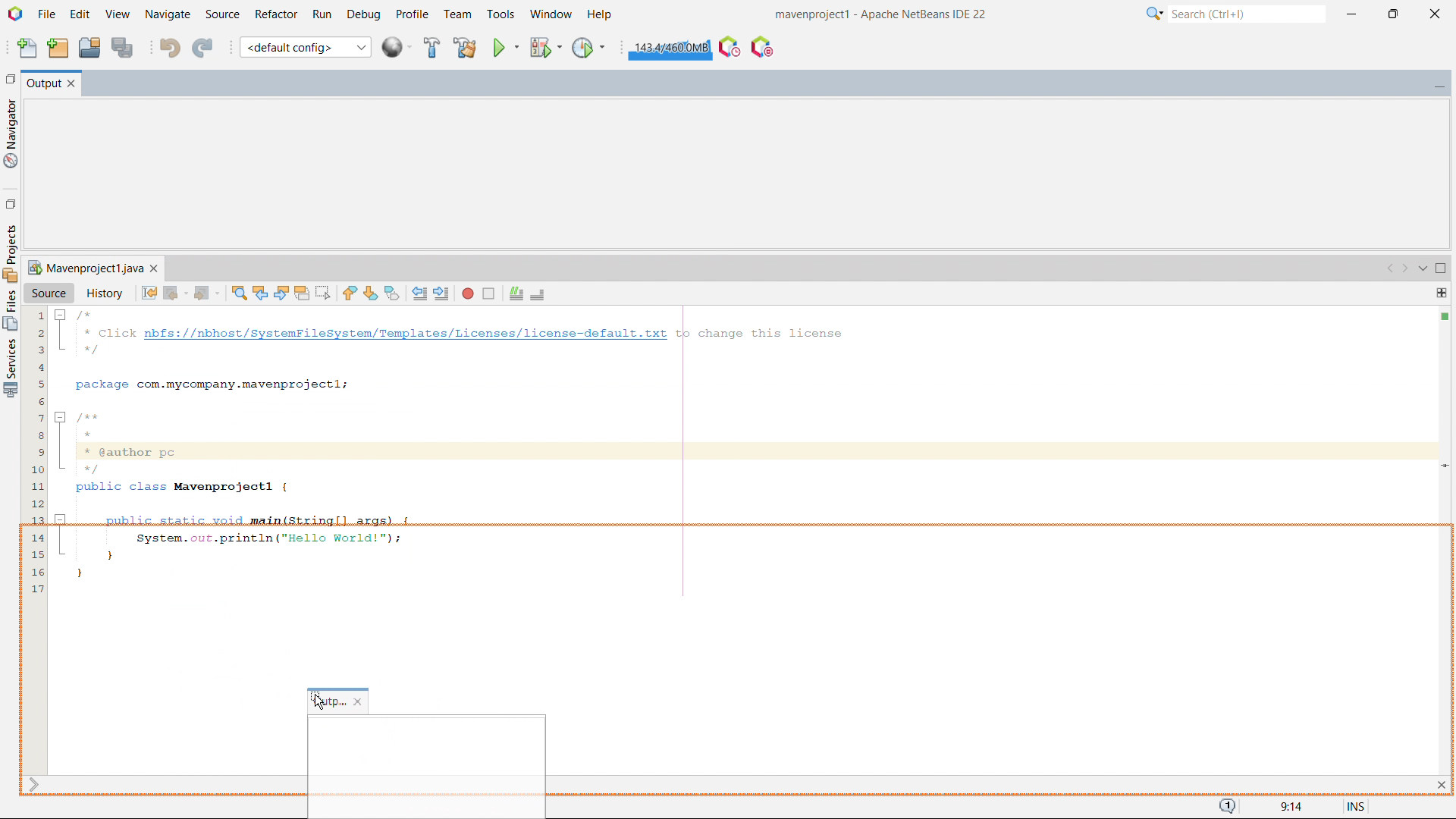 Image resolution: width=1456 pixels, height=819 pixels. Describe the element at coordinates (206, 293) in the screenshot. I see `forward ` at that location.